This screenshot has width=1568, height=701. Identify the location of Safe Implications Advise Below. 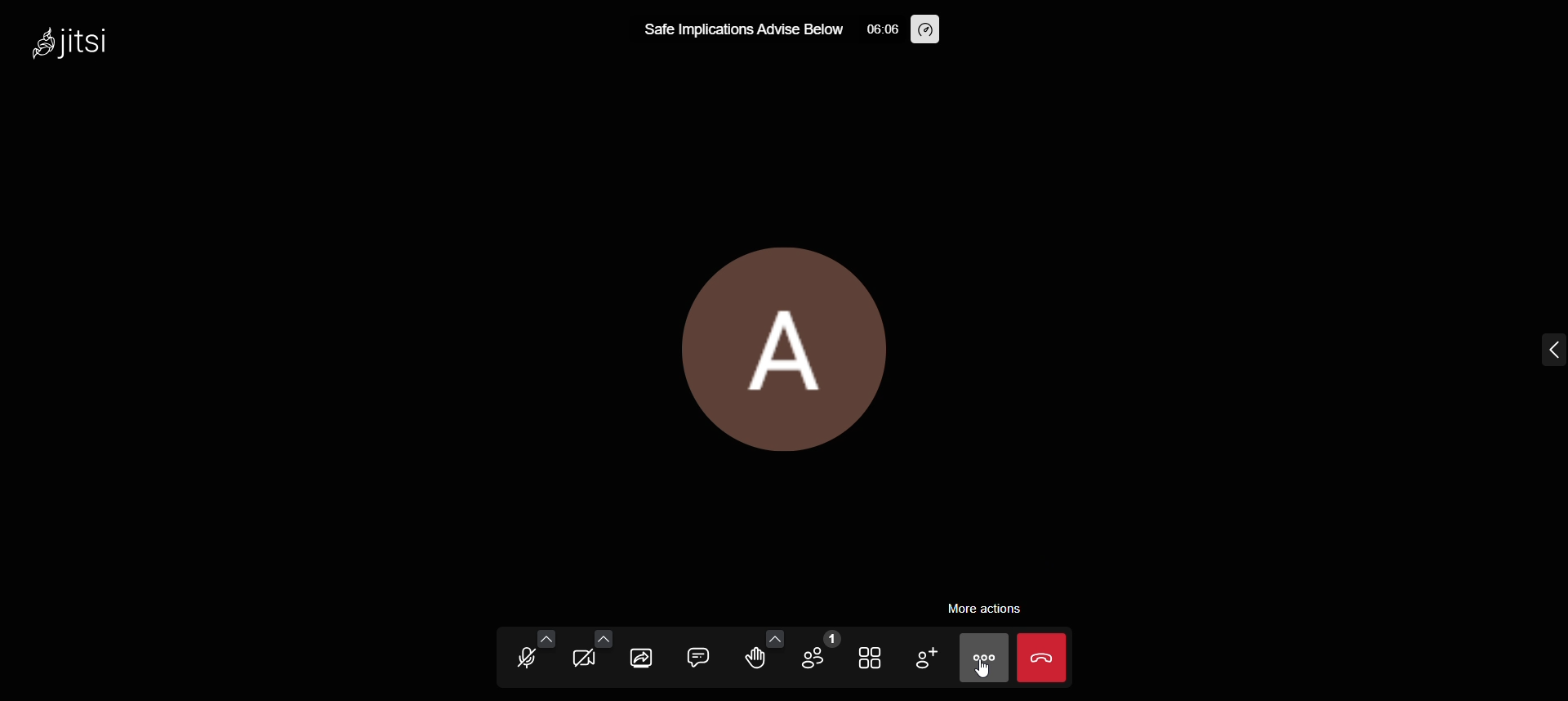
(738, 29).